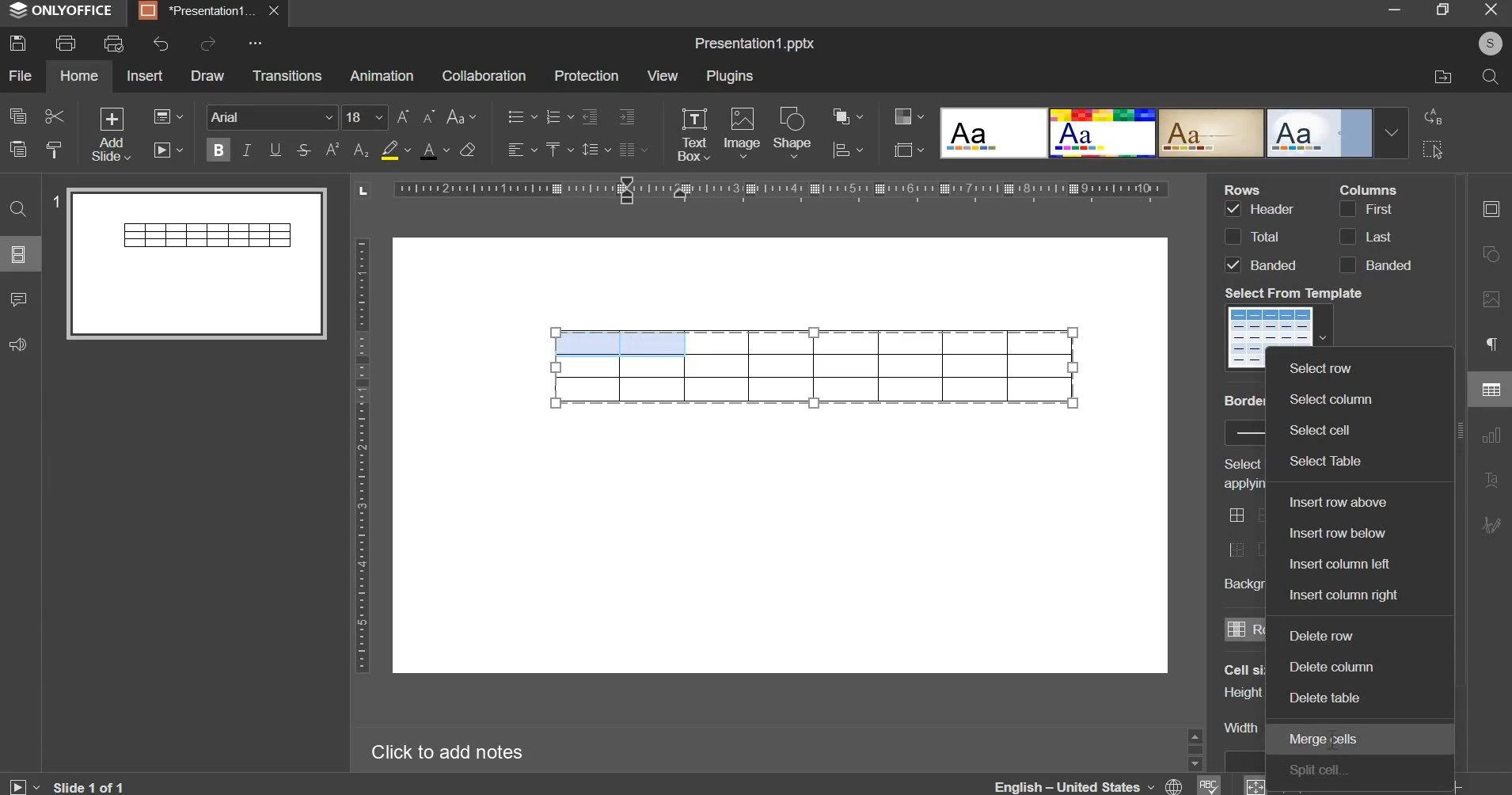 This screenshot has width=1512, height=795. What do you see at coordinates (1329, 667) in the screenshot?
I see `delete column` at bounding box center [1329, 667].